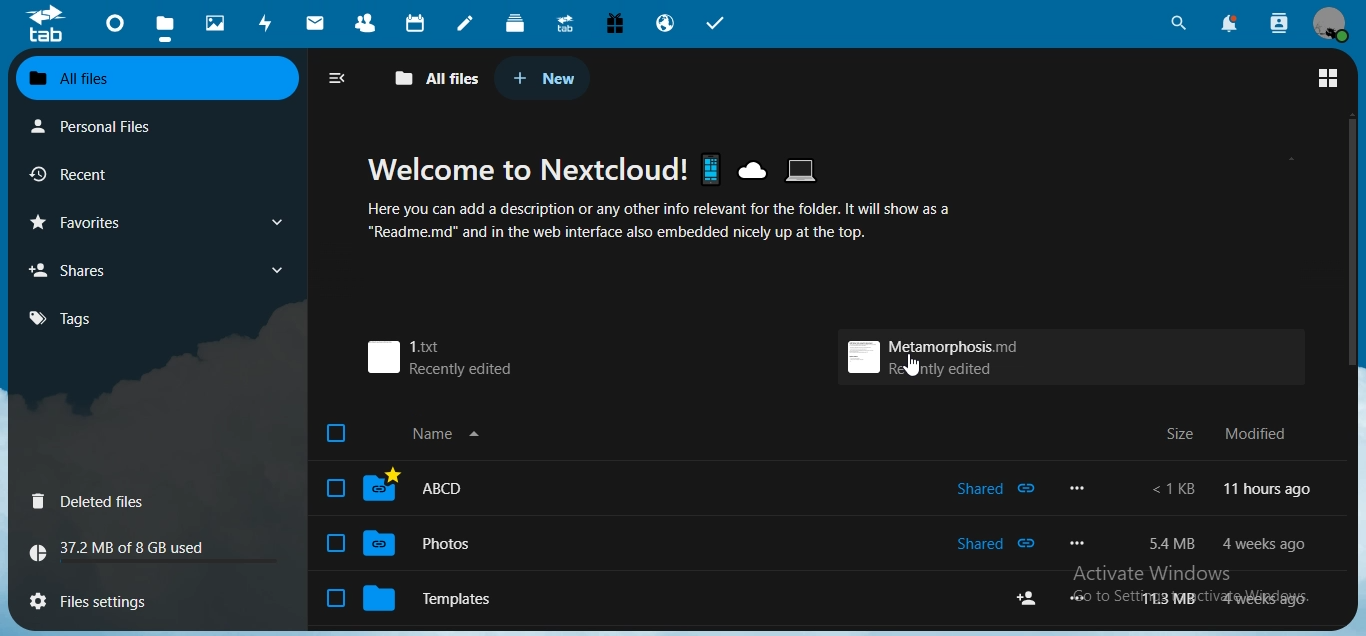 This screenshot has width=1366, height=636. Describe the element at coordinates (219, 23) in the screenshot. I see `photos` at that location.